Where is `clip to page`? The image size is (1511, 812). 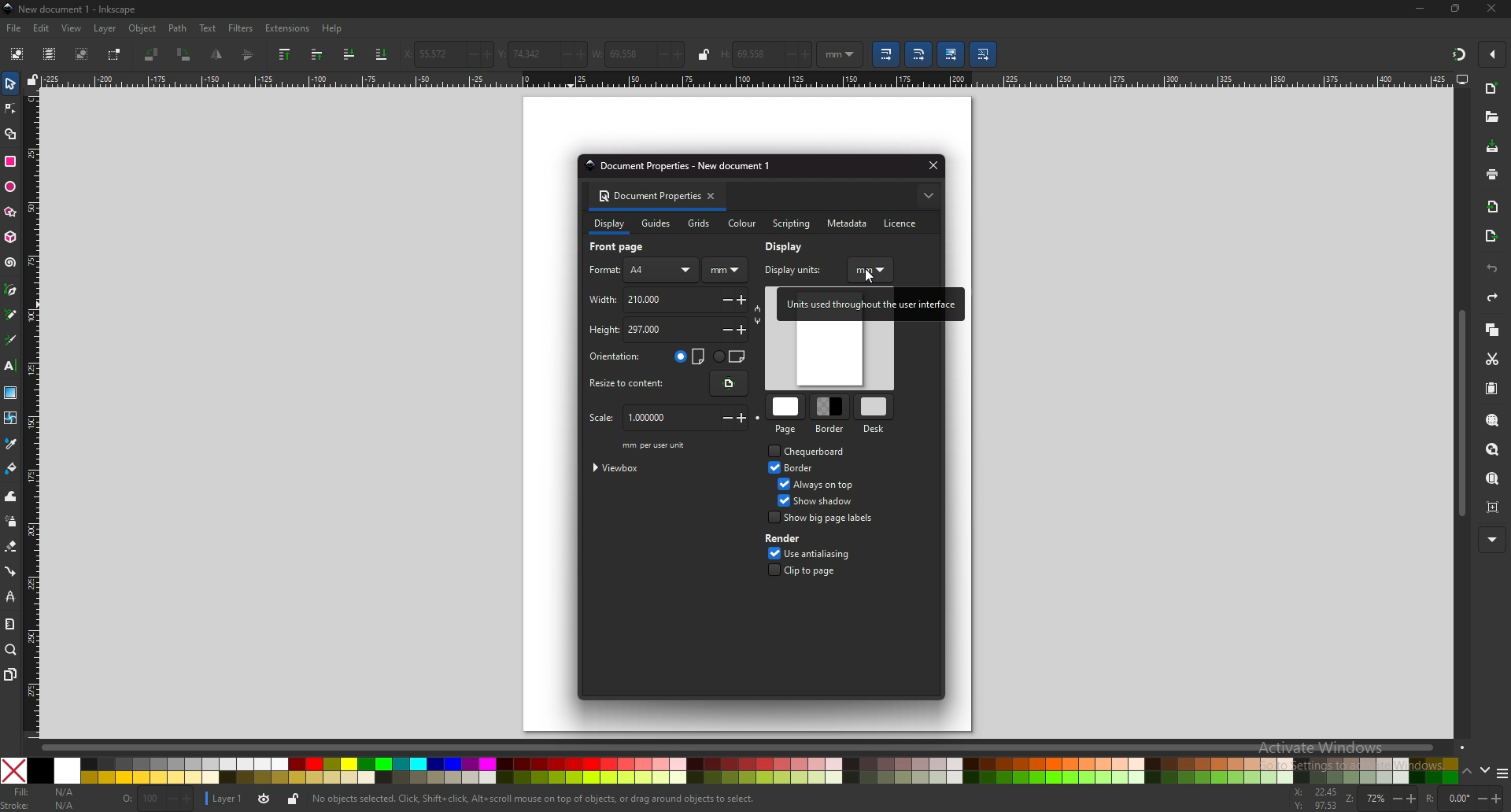 clip to page is located at coordinates (818, 570).